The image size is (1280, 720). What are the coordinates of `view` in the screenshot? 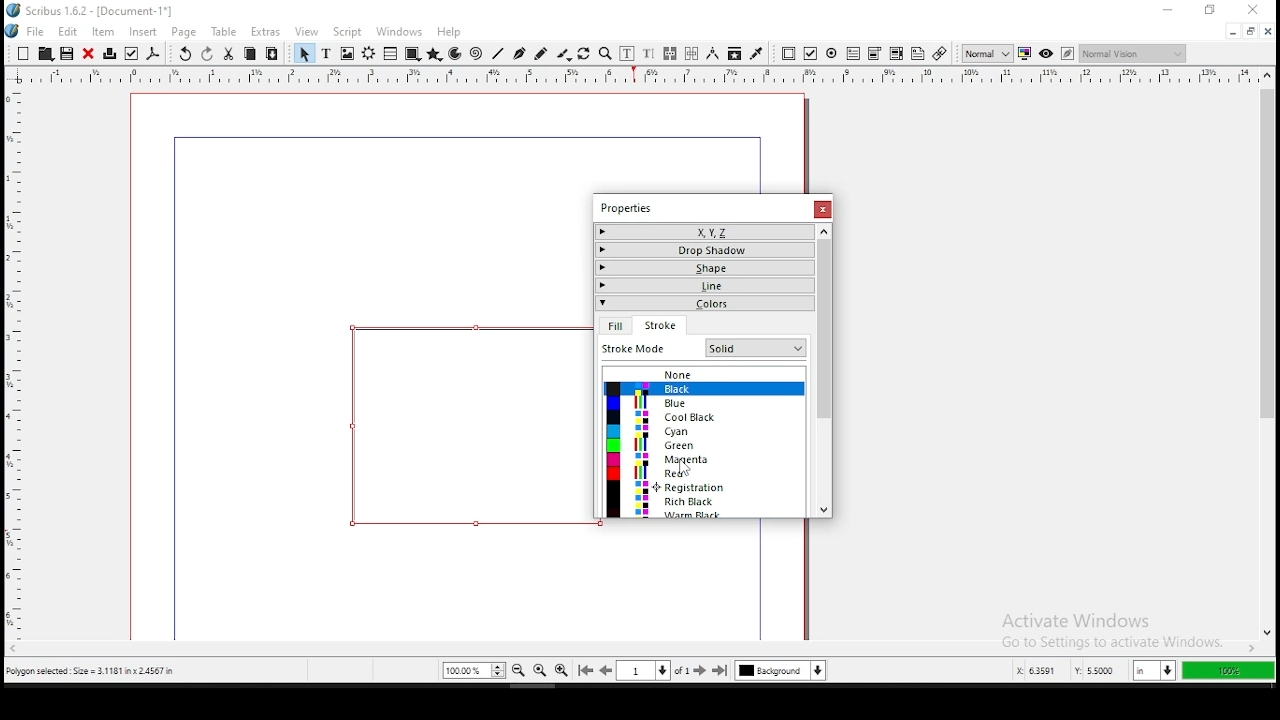 It's located at (307, 33).